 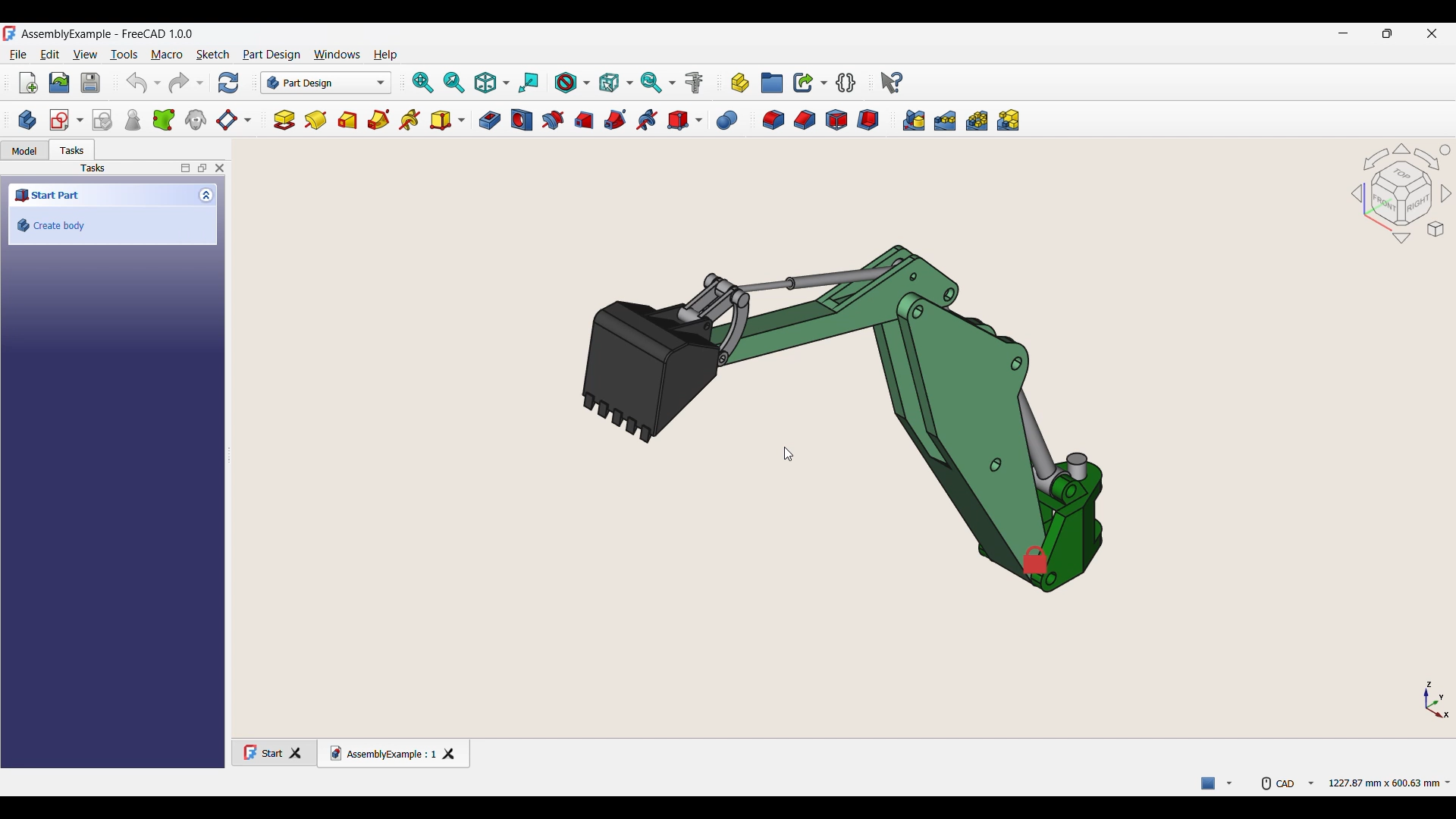 I want to click on Create multitransform, so click(x=1009, y=119).